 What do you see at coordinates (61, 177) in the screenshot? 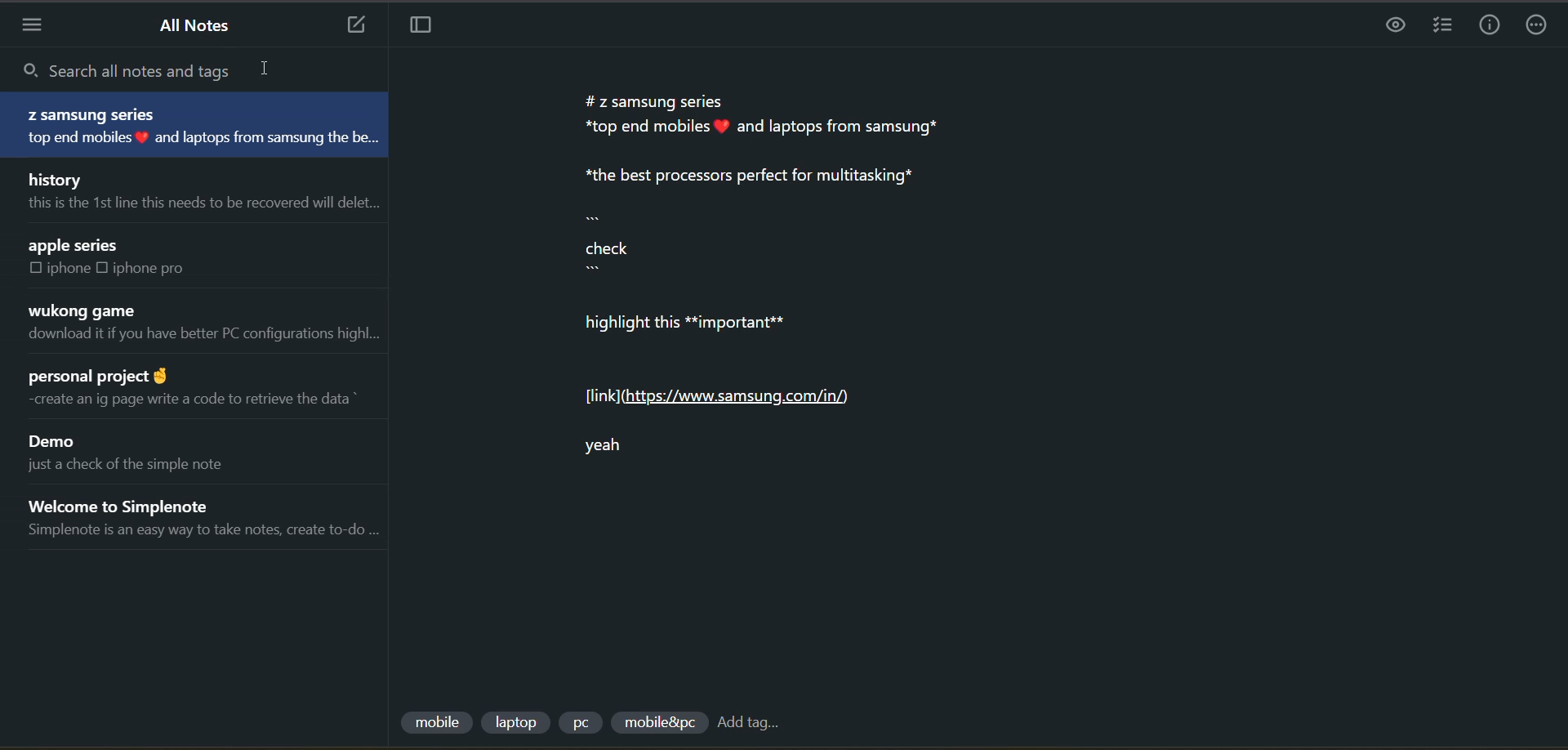
I see `history` at bounding box center [61, 177].